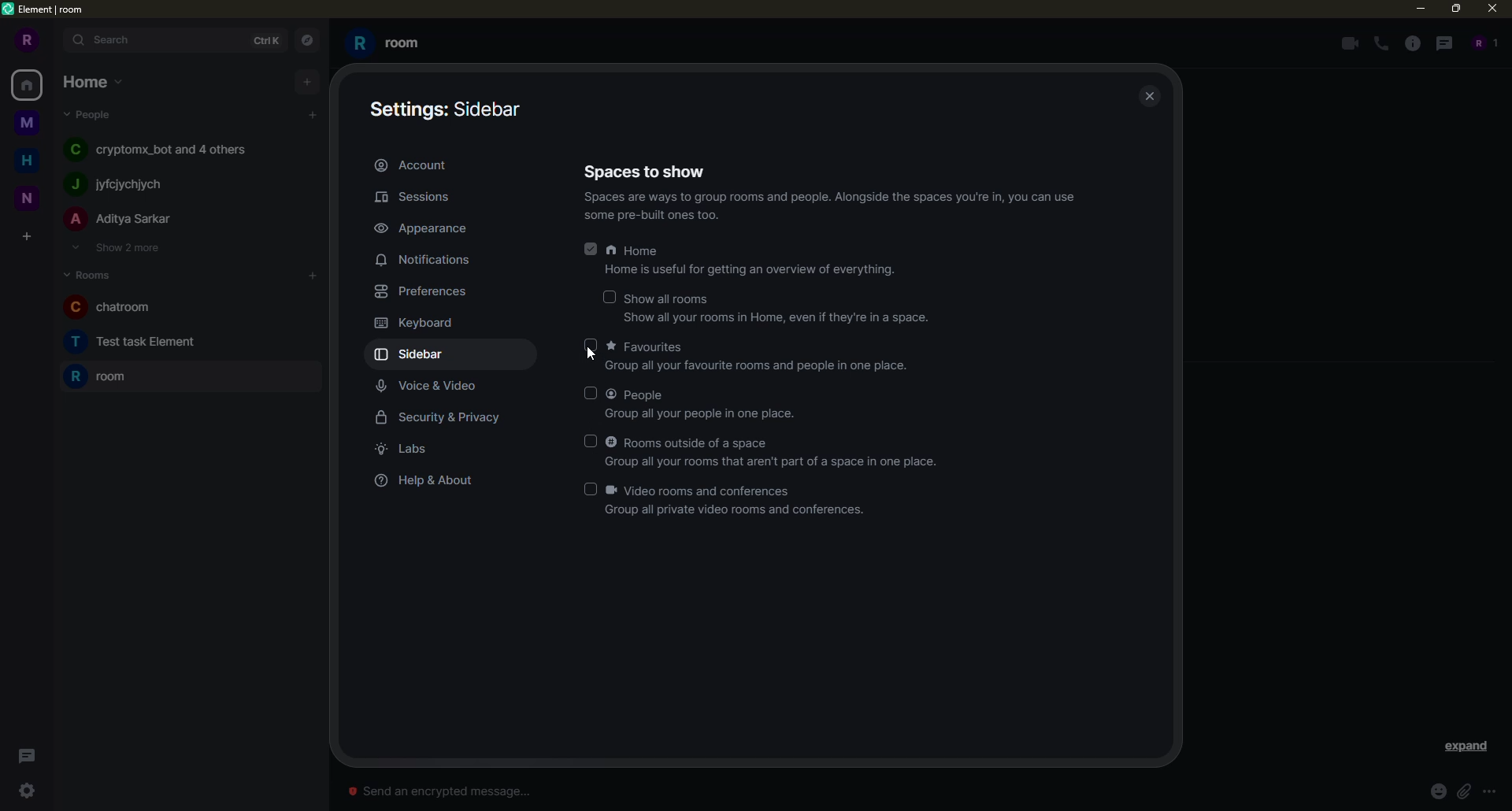 The height and width of the screenshot is (811, 1512). Describe the element at coordinates (135, 223) in the screenshot. I see `A Aditya Sarkar` at that location.